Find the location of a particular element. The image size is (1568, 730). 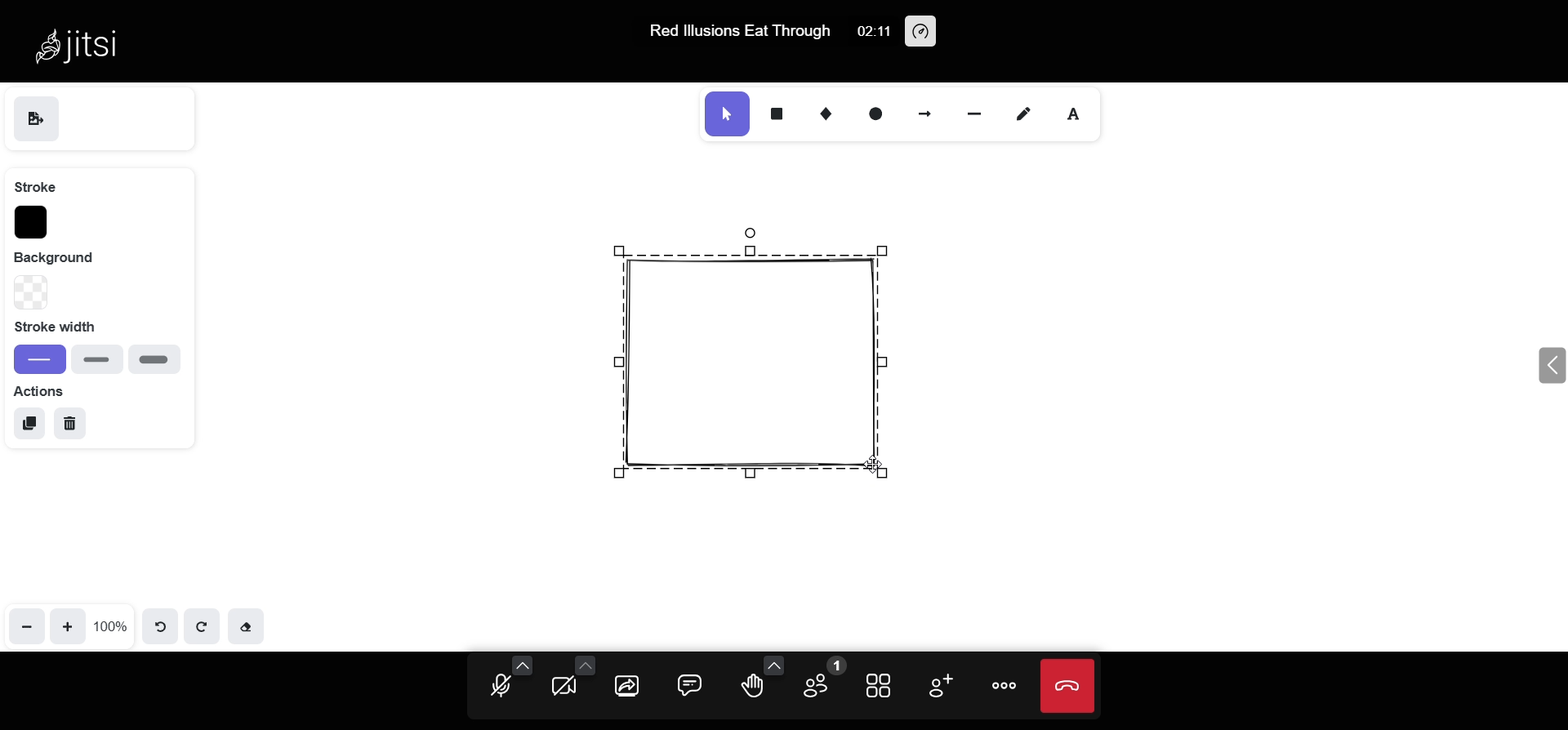

duplicate is located at coordinates (27, 424).